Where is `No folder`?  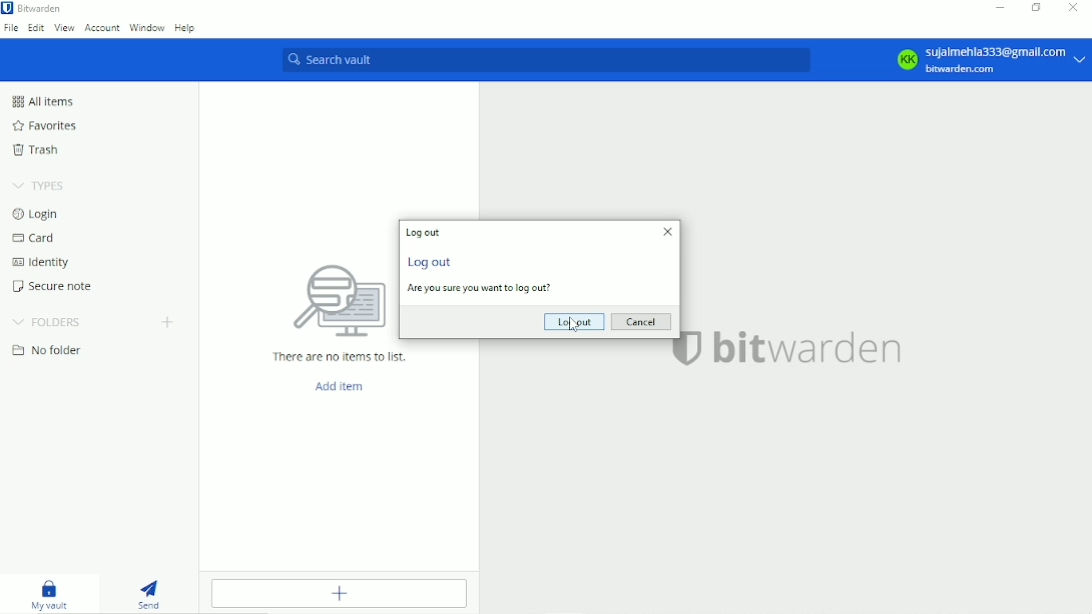
No folder is located at coordinates (47, 350).